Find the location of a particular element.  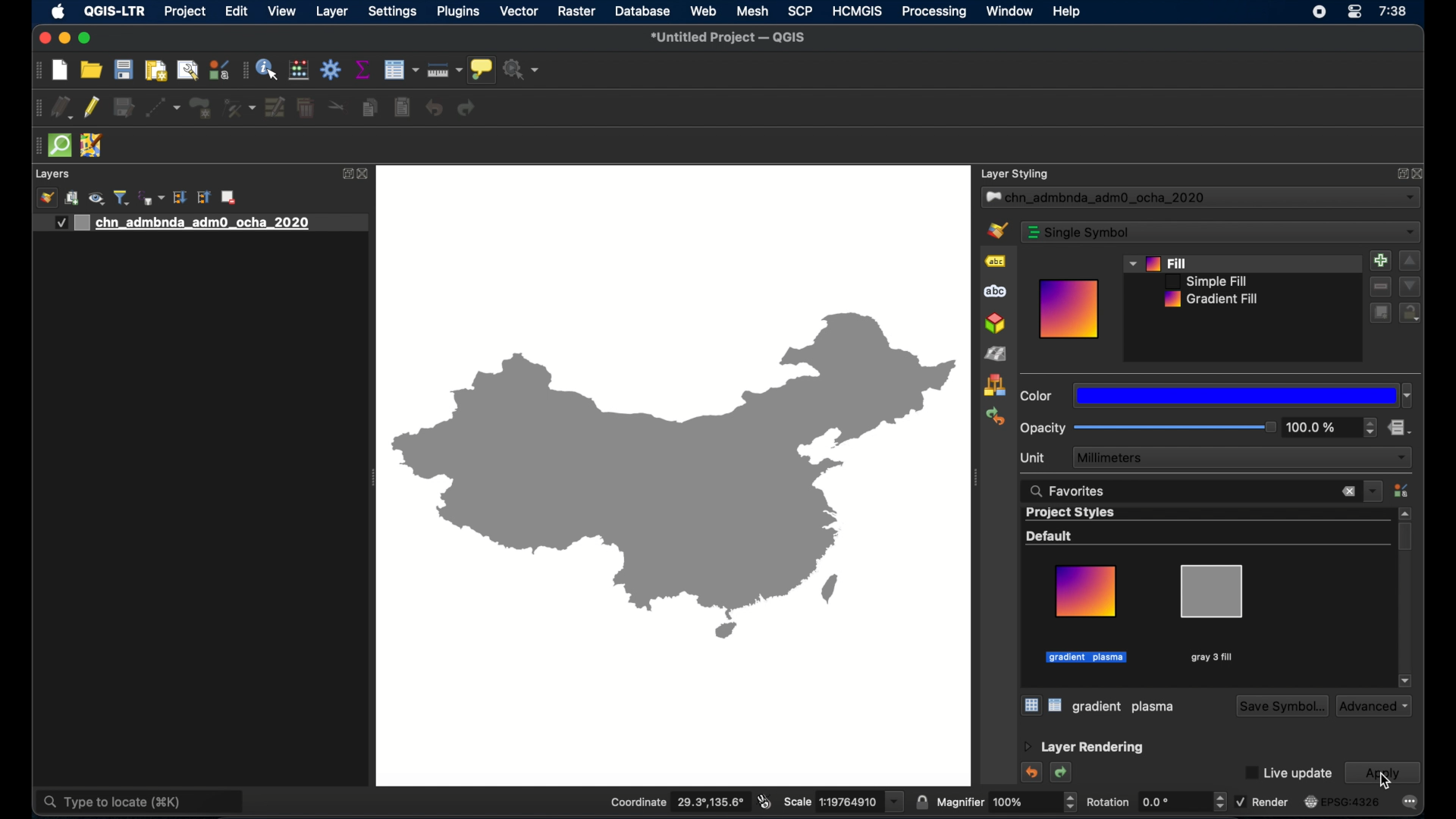

masks is located at coordinates (998, 291).